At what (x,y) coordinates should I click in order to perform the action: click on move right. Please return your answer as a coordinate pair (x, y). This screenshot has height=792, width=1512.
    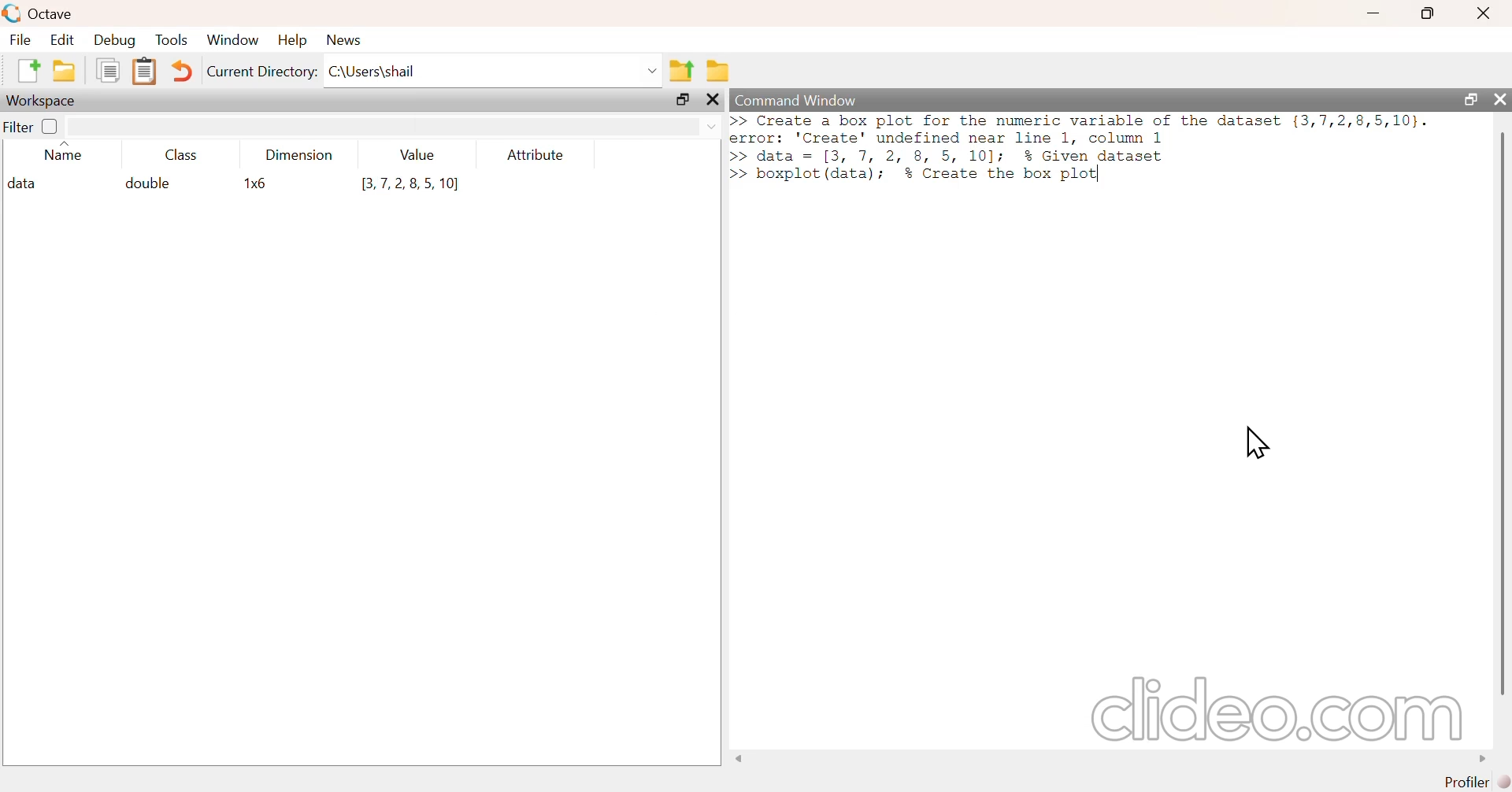
    Looking at the image, I should click on (1477, 757).